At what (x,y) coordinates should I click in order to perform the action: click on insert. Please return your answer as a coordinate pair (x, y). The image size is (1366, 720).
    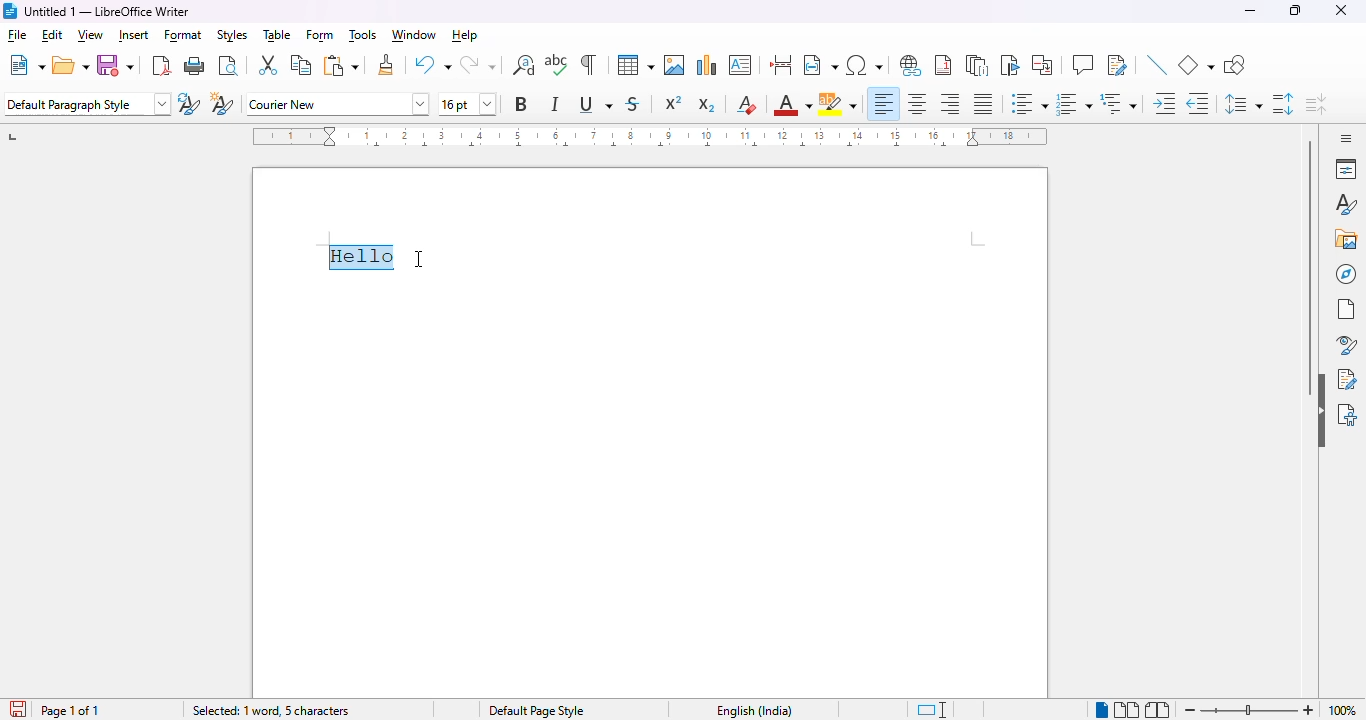
    Looking at the image, I should click on (134, 35).